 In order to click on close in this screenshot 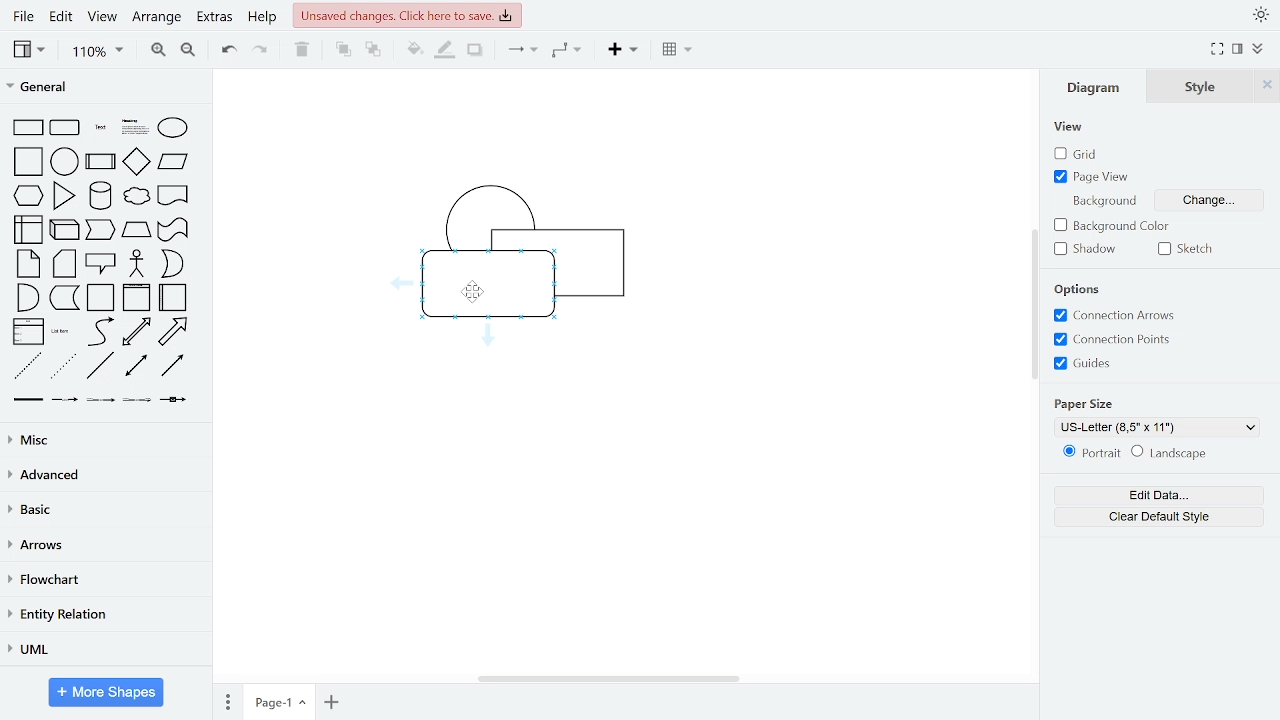, I will do `click(1270, 86)`.